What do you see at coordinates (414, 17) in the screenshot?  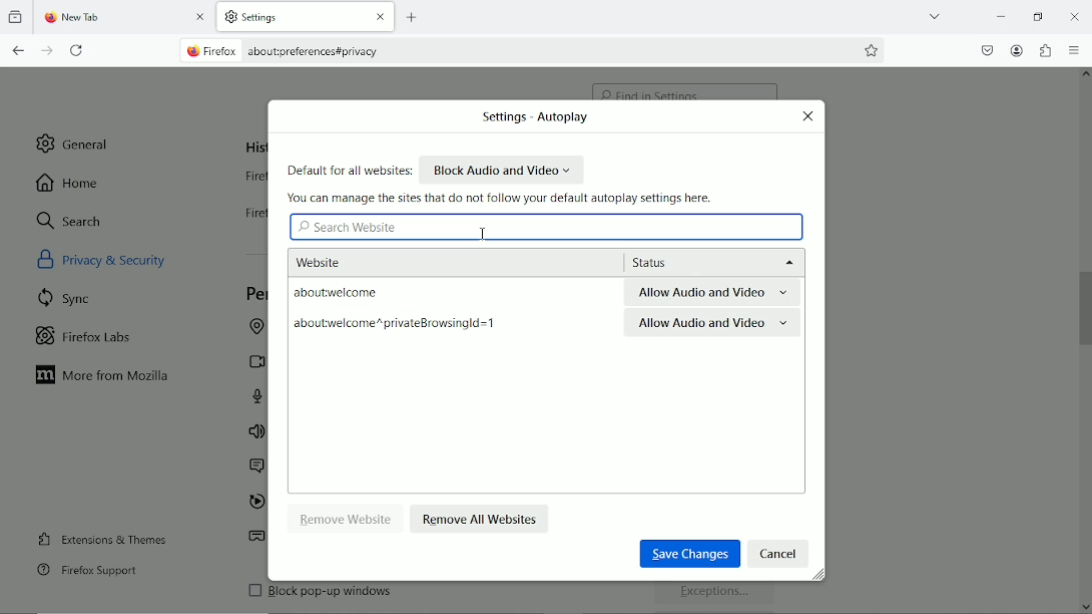 I see `new tab` at bounding box center [414, 17].